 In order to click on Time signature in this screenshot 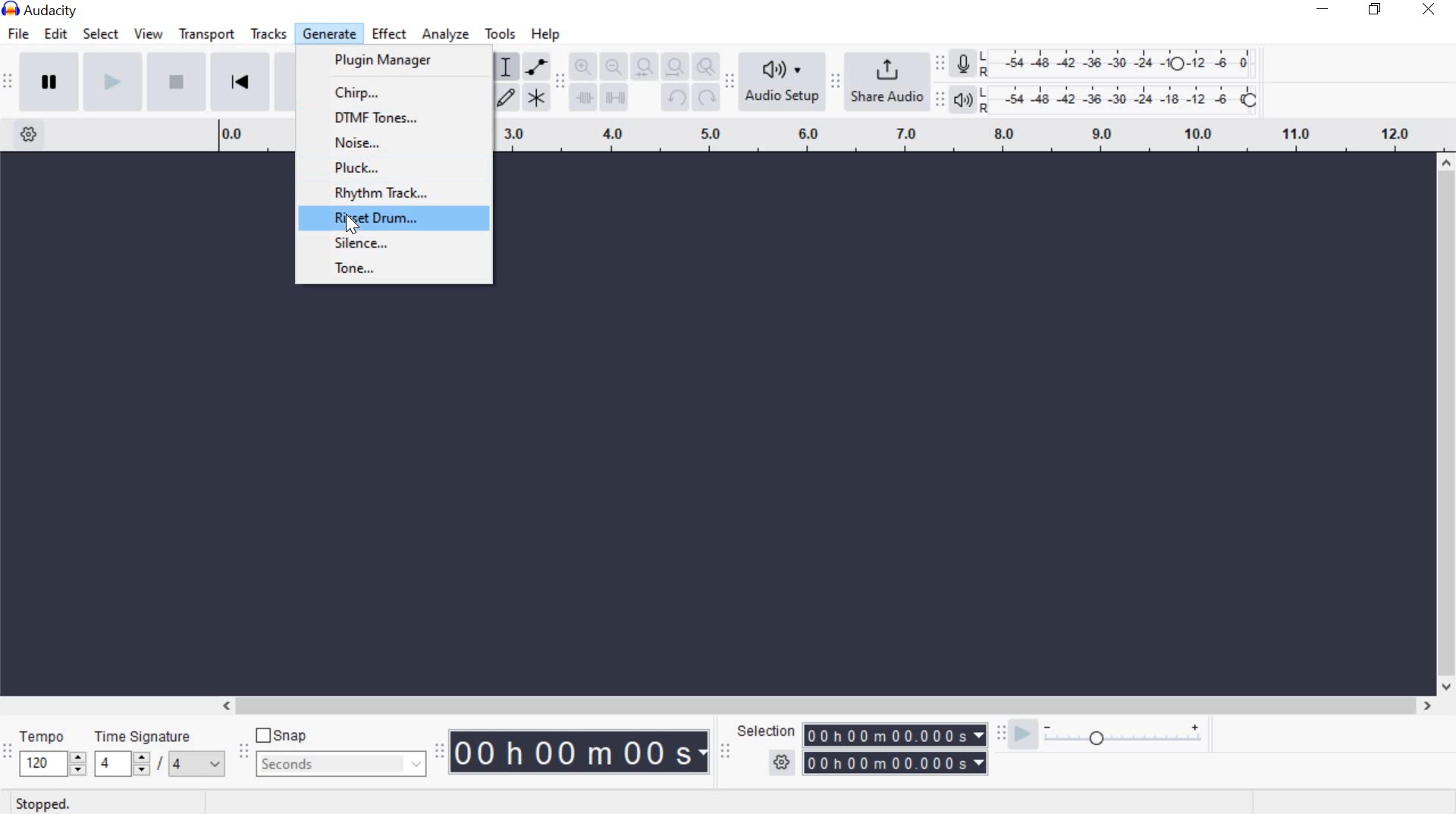, I will do `click(161, 756)`.